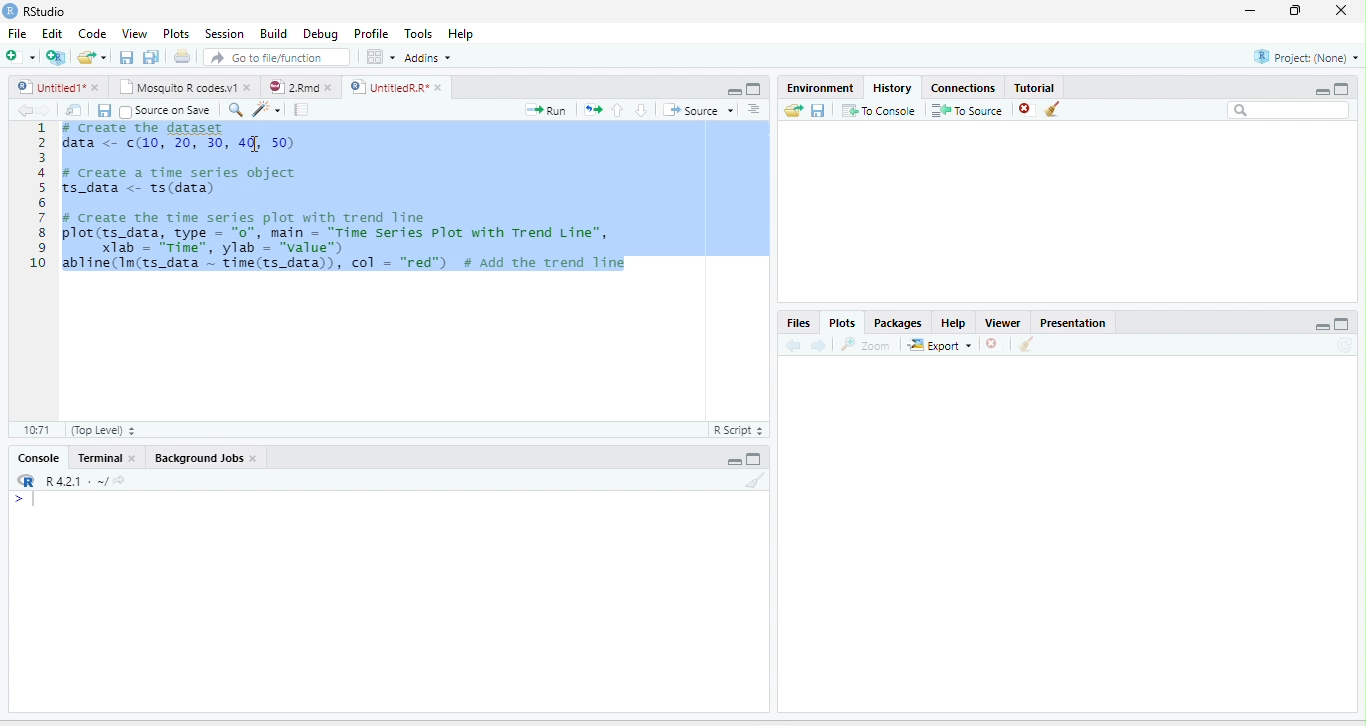 The width and height of the screenshot is (1366, 726). What do you see at coordinates (756, 480) in the screenshot?
I see `Clear console` at bounding box center [756, 480].